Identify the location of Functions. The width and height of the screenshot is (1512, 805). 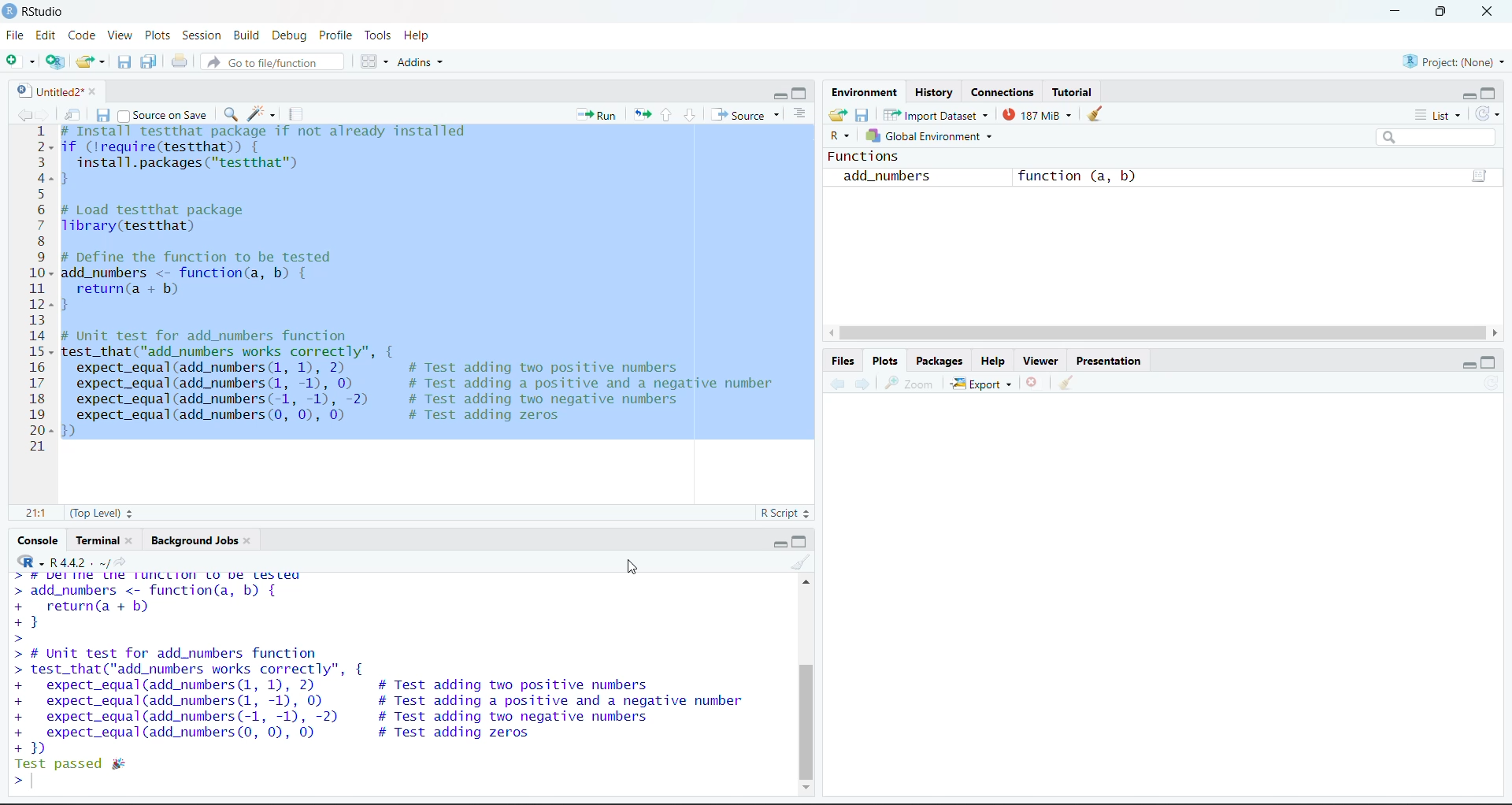
(864, 156).